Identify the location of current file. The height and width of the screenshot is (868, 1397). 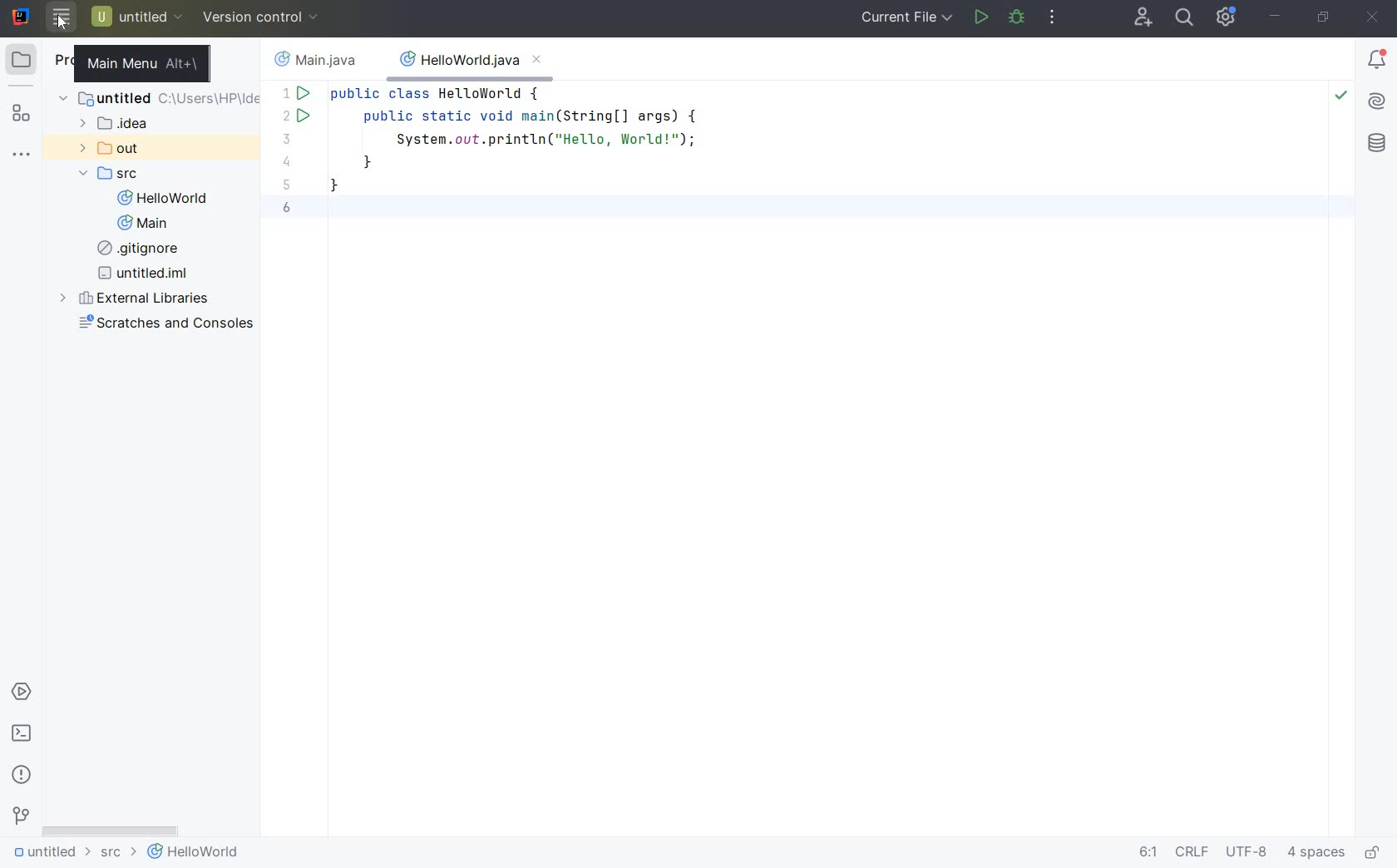
(908, 18).